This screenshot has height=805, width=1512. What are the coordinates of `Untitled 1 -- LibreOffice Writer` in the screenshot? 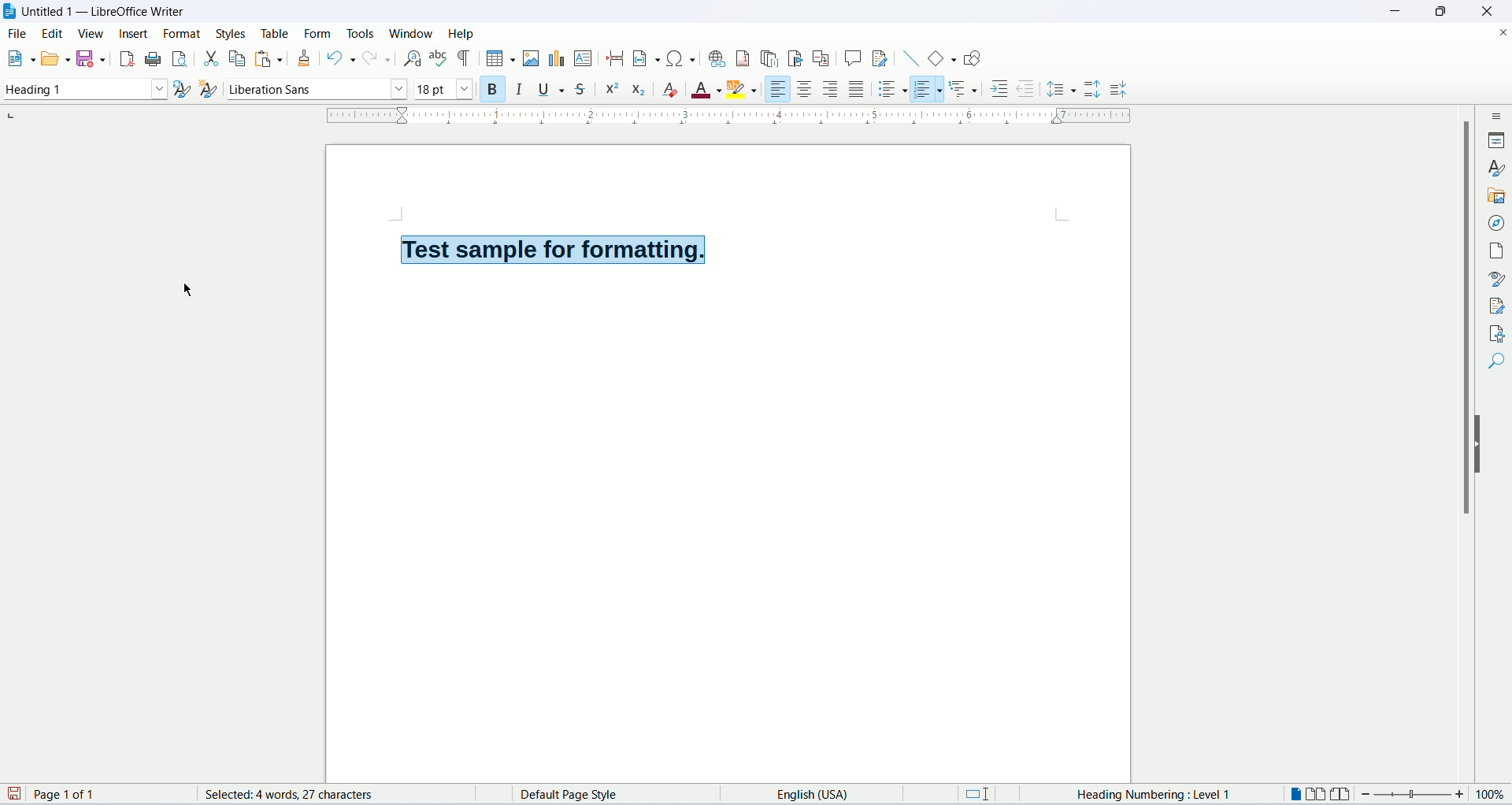 It's located at (106, 13).